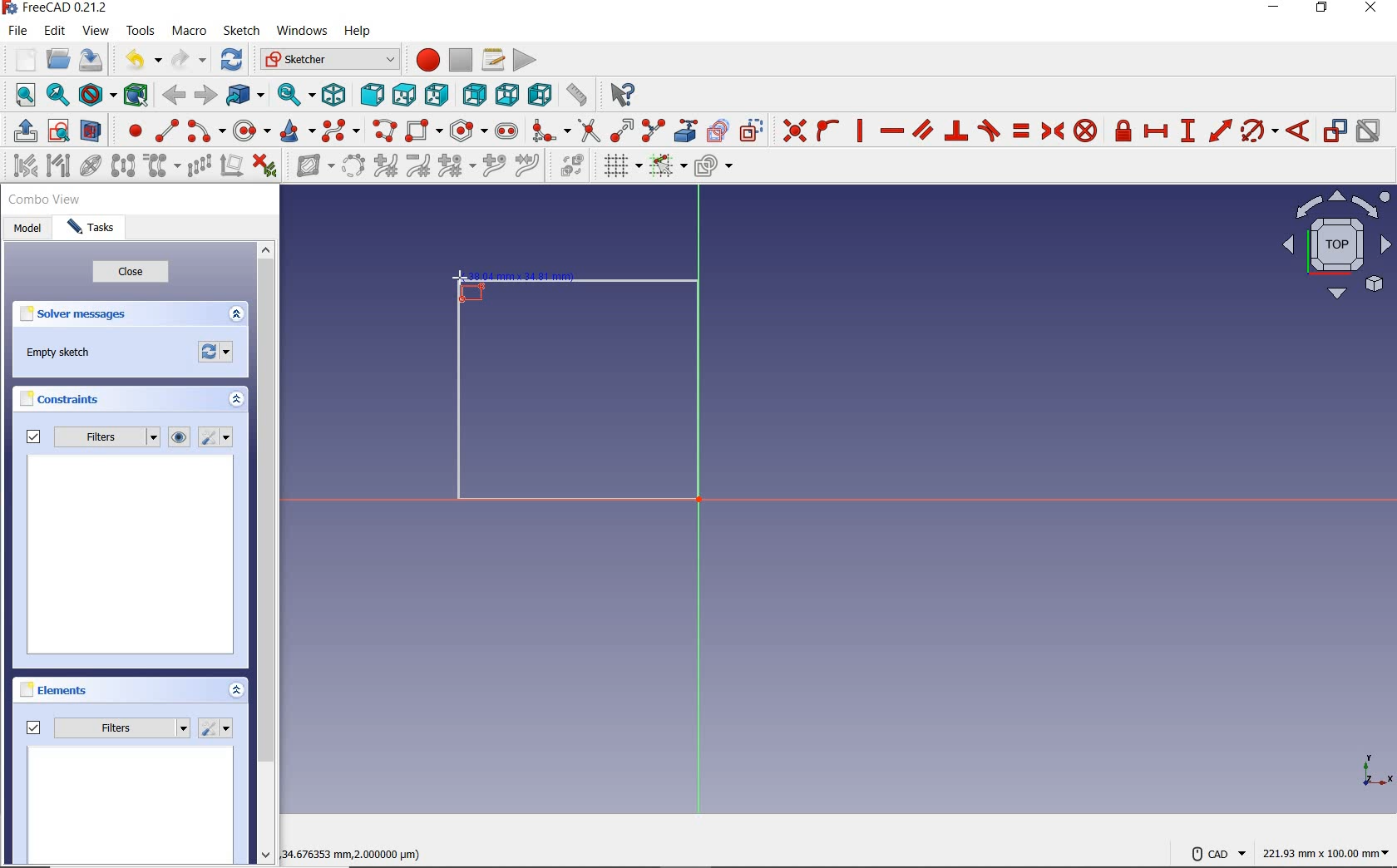  What do you see at coordinates (59, 165) in the screenshot?
I see `select associated geometry` at bounding box center [59, 165].